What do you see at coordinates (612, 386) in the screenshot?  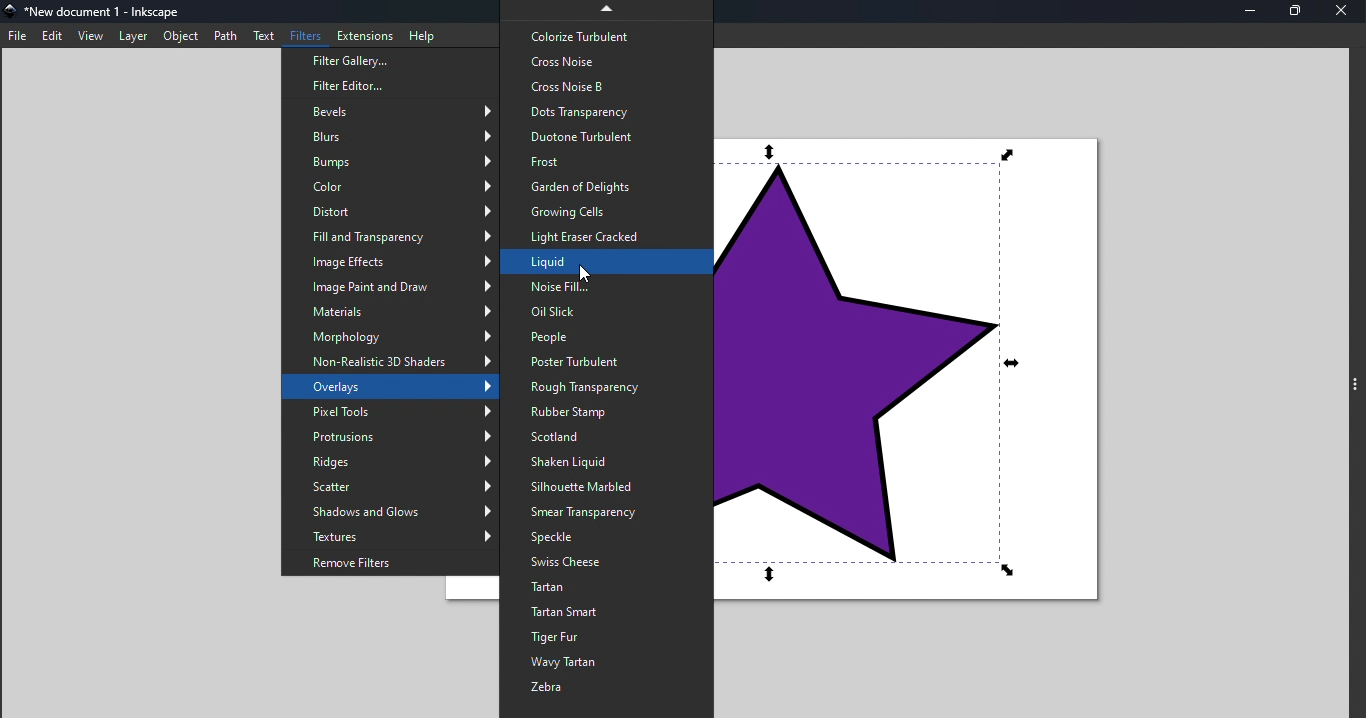 I see `Rough transparency` at bounding box center [612, 386].